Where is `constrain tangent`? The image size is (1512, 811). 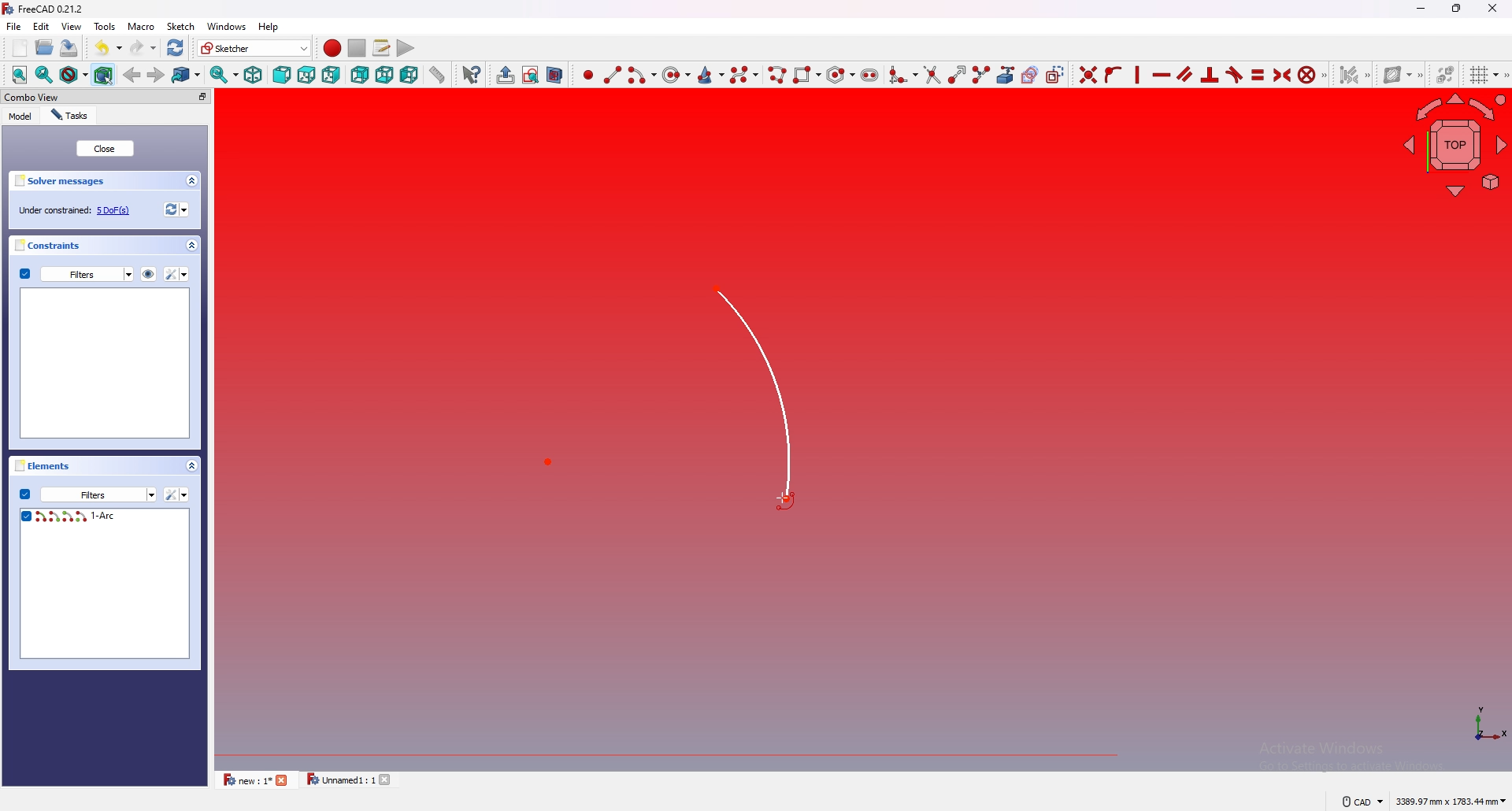
constrain tangent is located at coordinates (1235, 74).